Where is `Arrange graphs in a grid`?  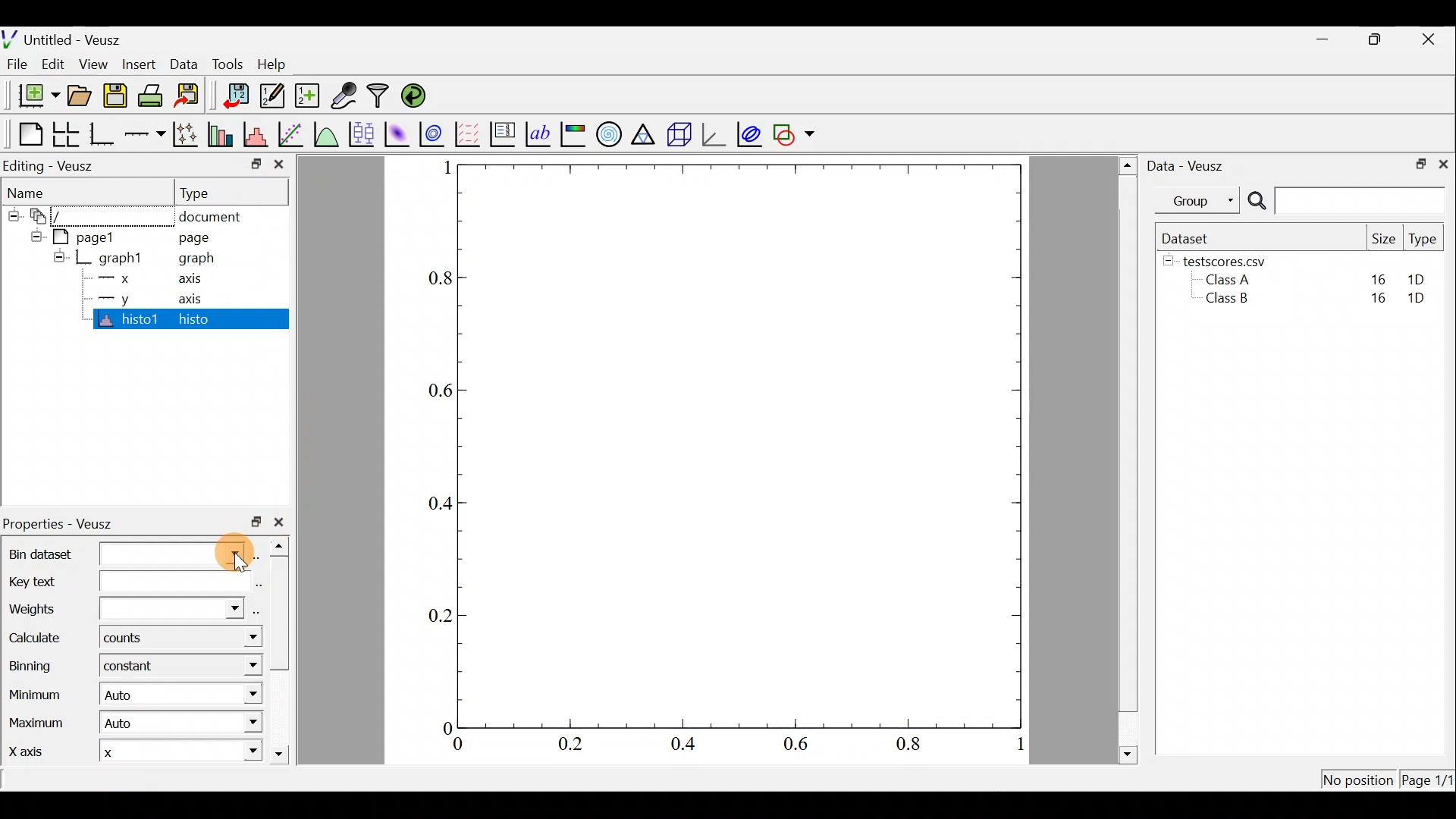
Arrange graphs in a grid is located at coordinates (67, 134).